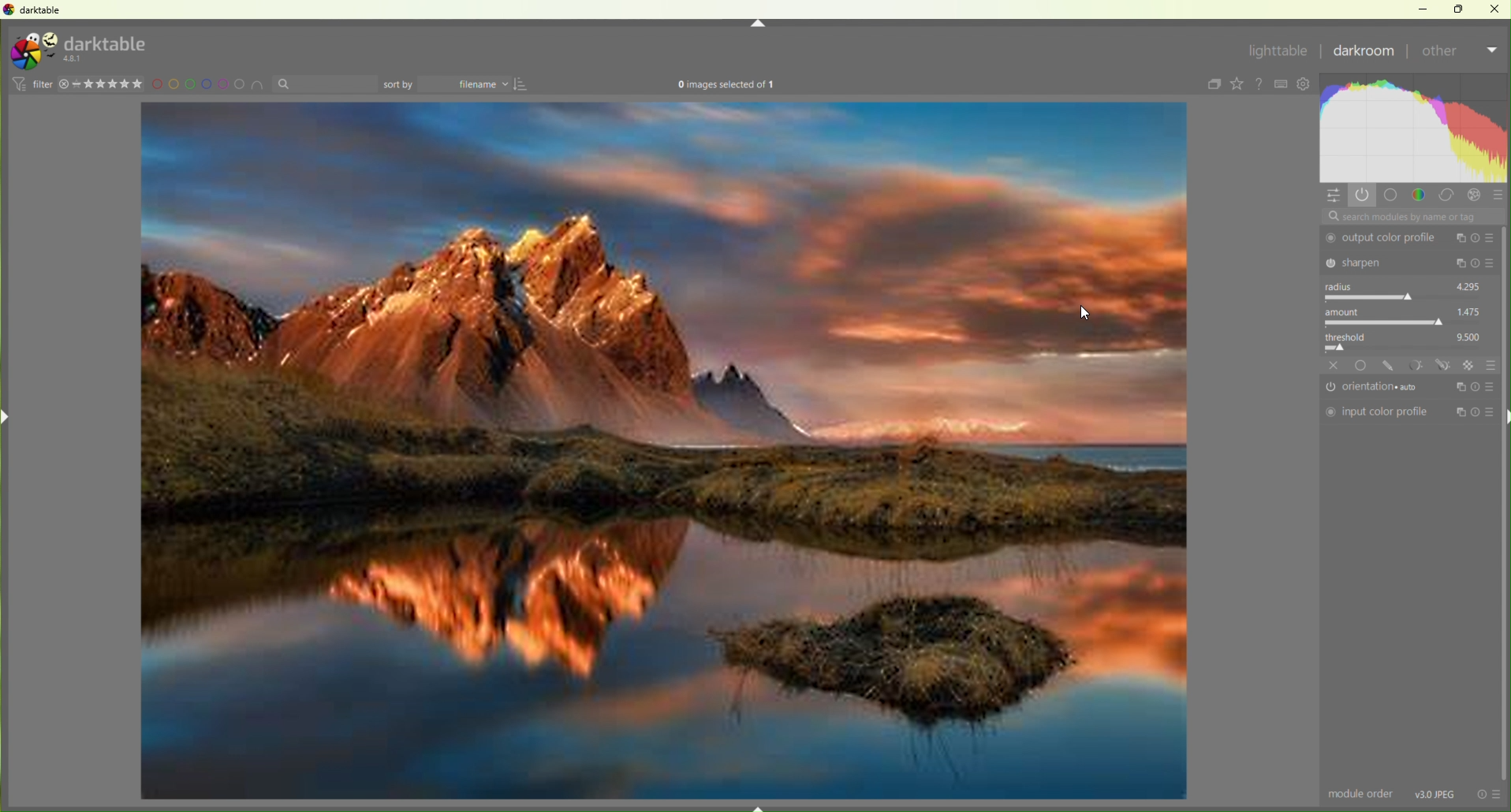  Describe the element at coordinates (1476, 196) in the screenshot. I see `Effects` at that location.